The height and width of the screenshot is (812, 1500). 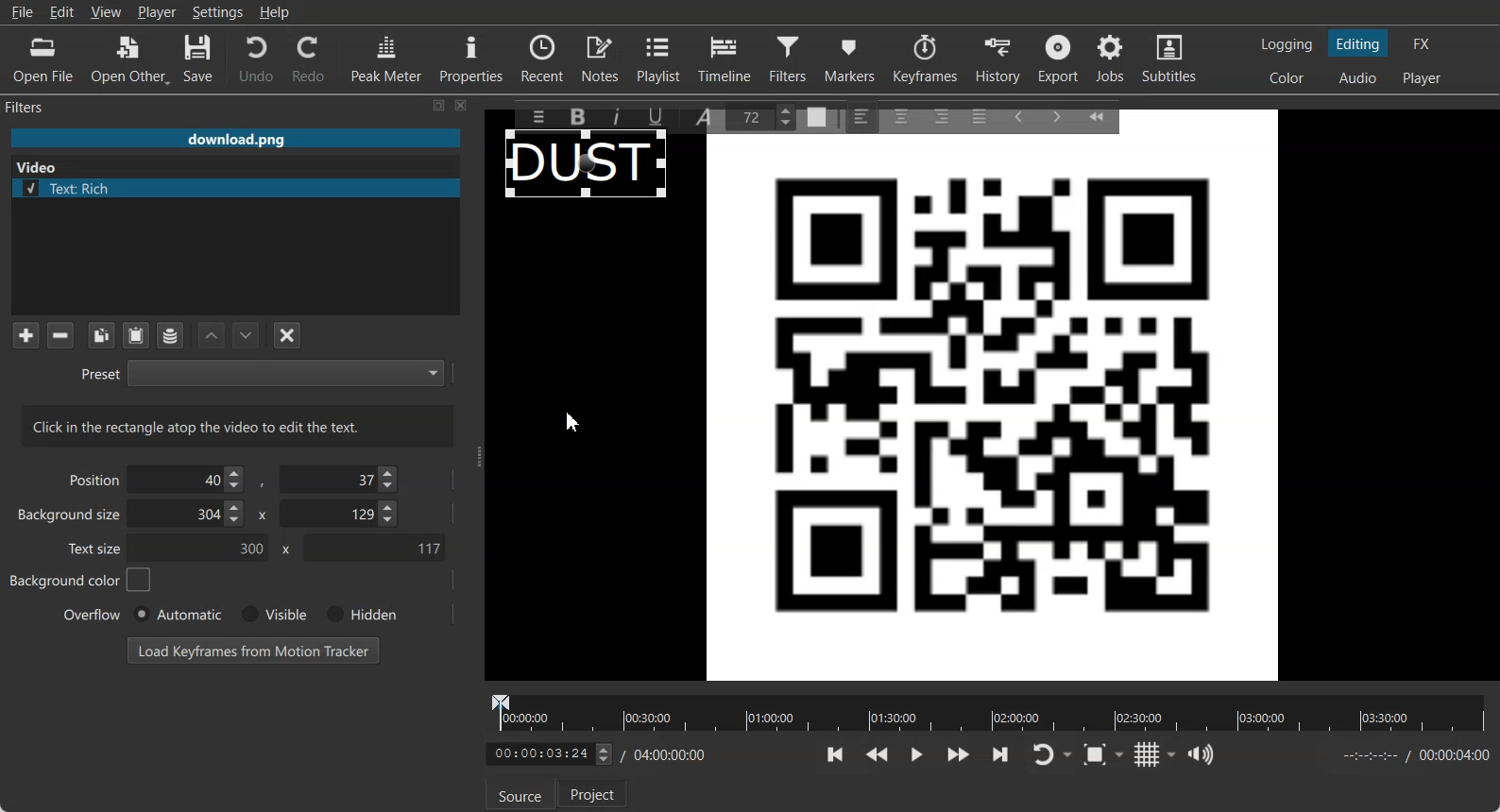 What do you see at coordinates (666, 754) in the screenshot?
I see `Timing ` at bounding box center [666, 754].